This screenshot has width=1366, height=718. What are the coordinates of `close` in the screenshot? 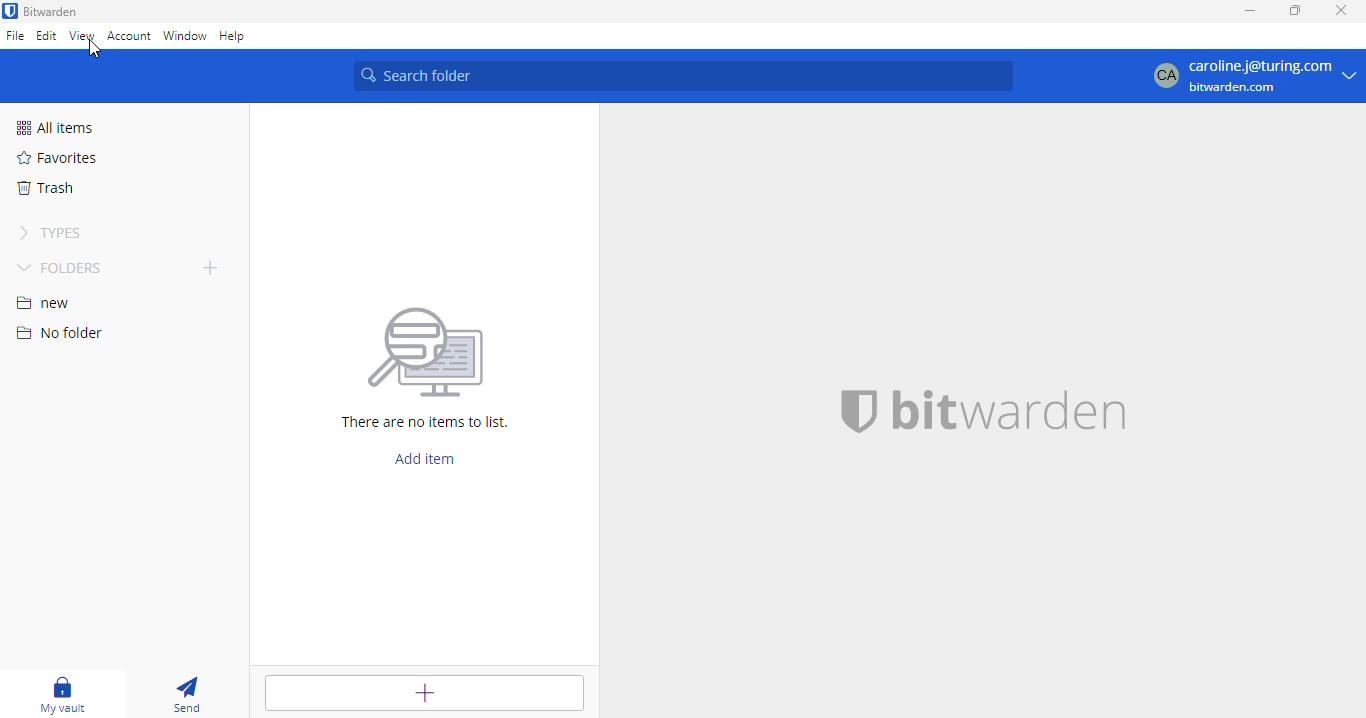 It's located at (1342, 9).